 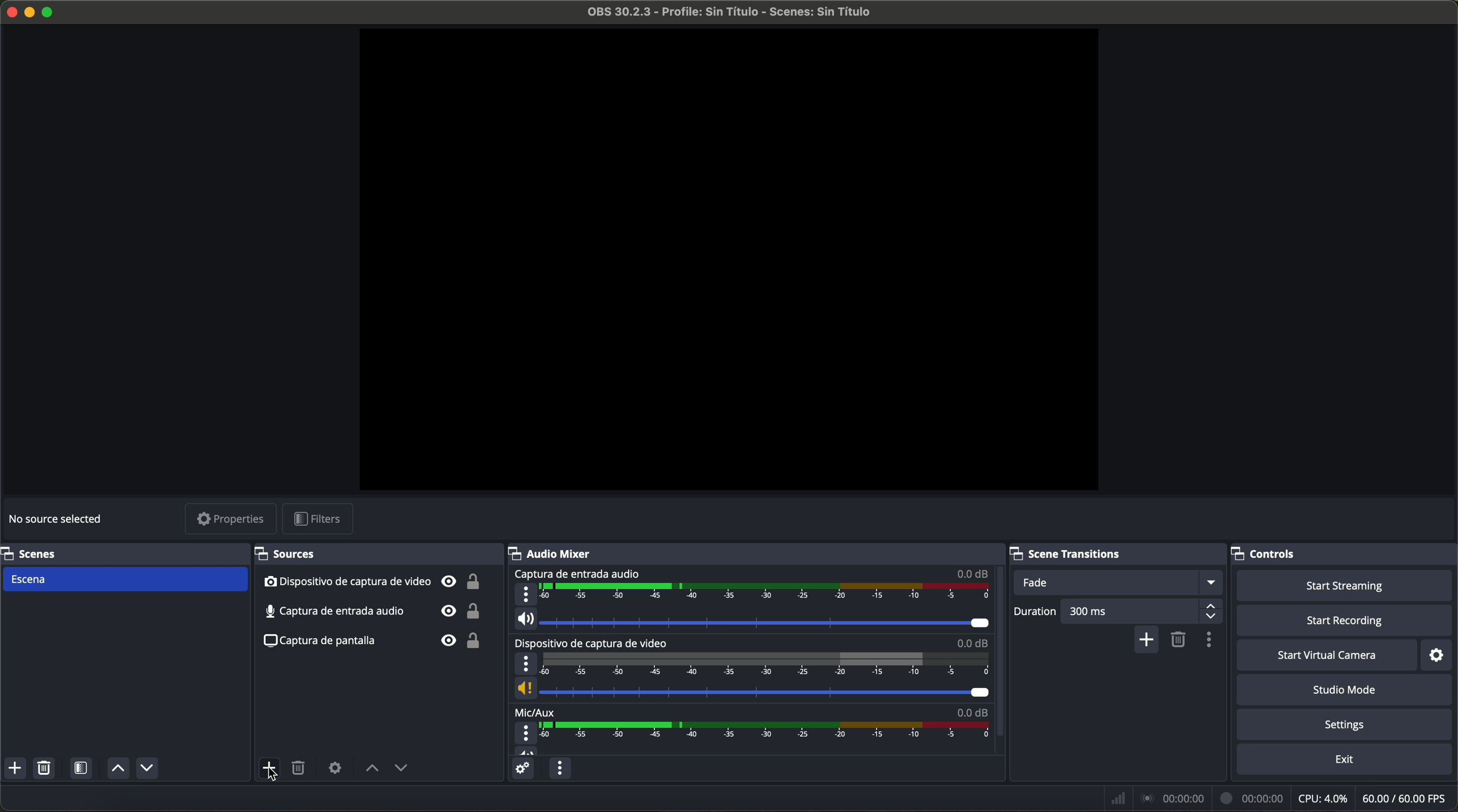 I want to click on 0.0 dB, so click(x=972, y=710).